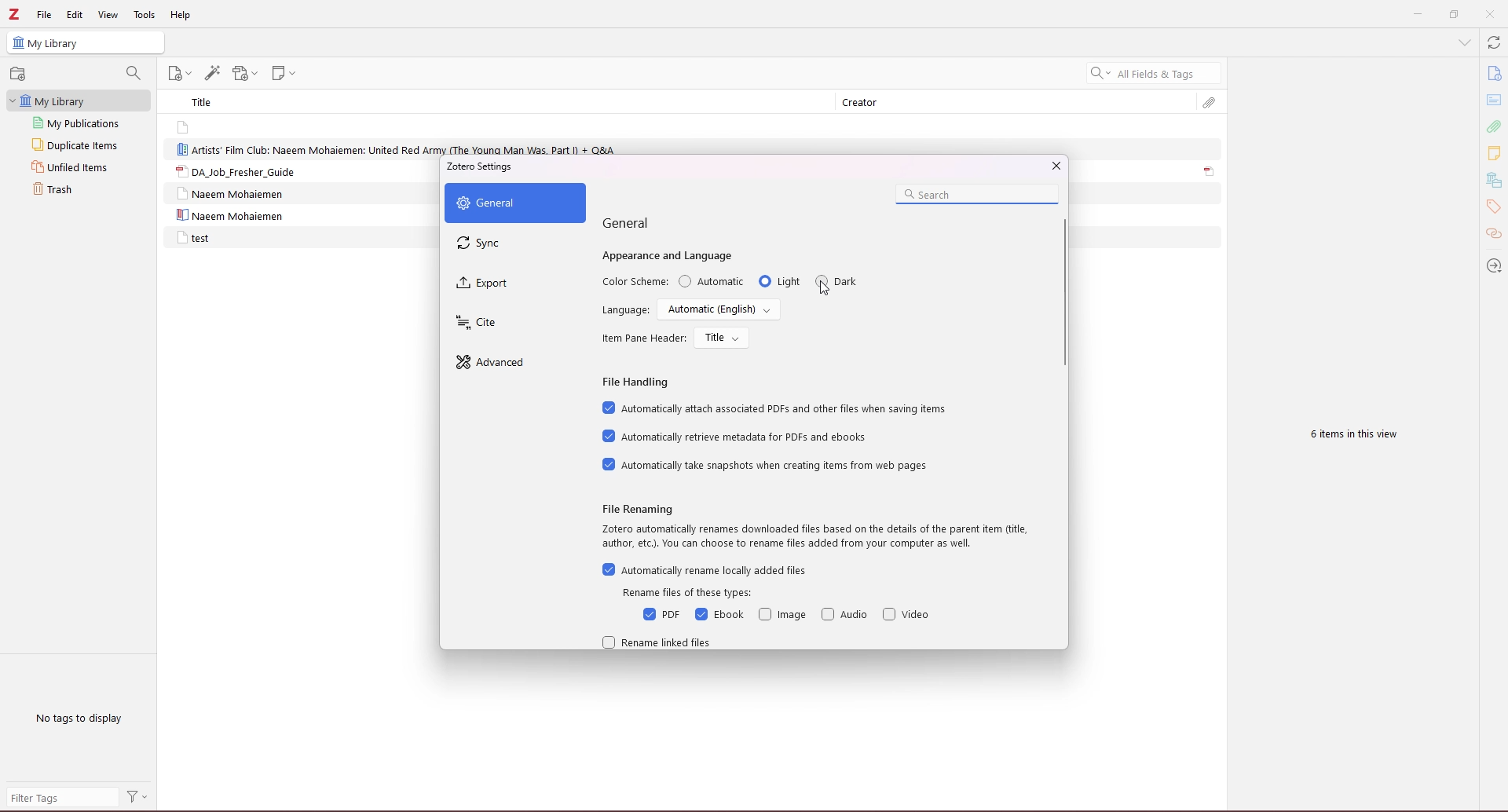  Describe the element at coordinates (1464, 42) in the screenshot. I see `list all items` at that location.